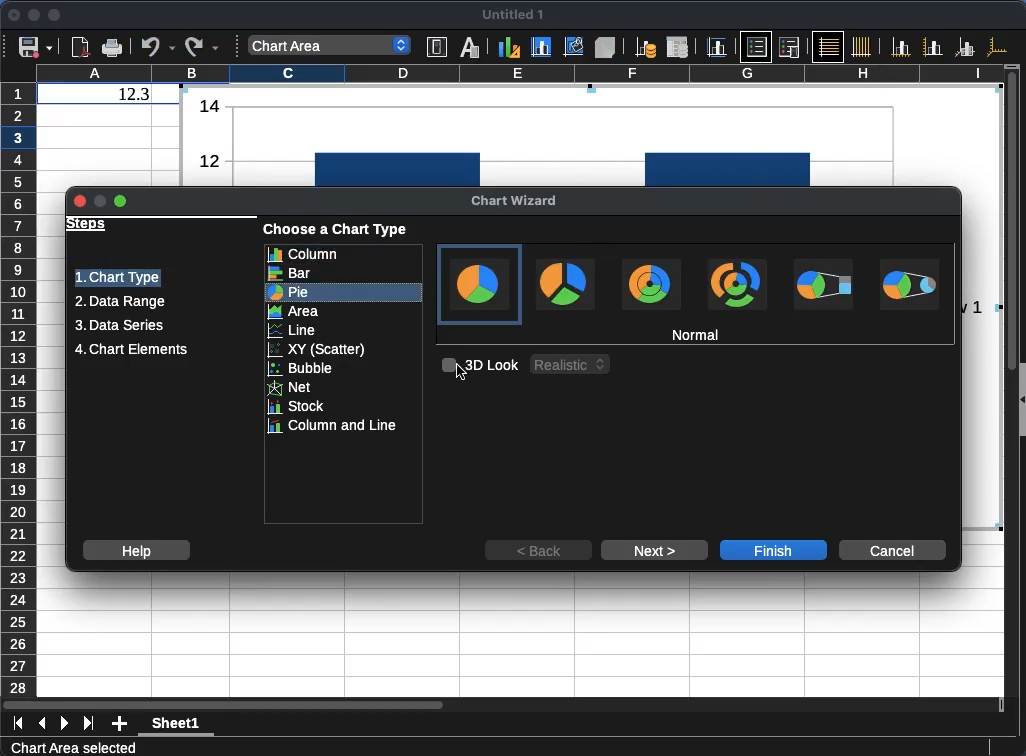 Image resolution: width=1026 pixels, height=756 pixels. Describe the element at coordinates (18, 724) in the screenshot. I see `first sheet` at that location.